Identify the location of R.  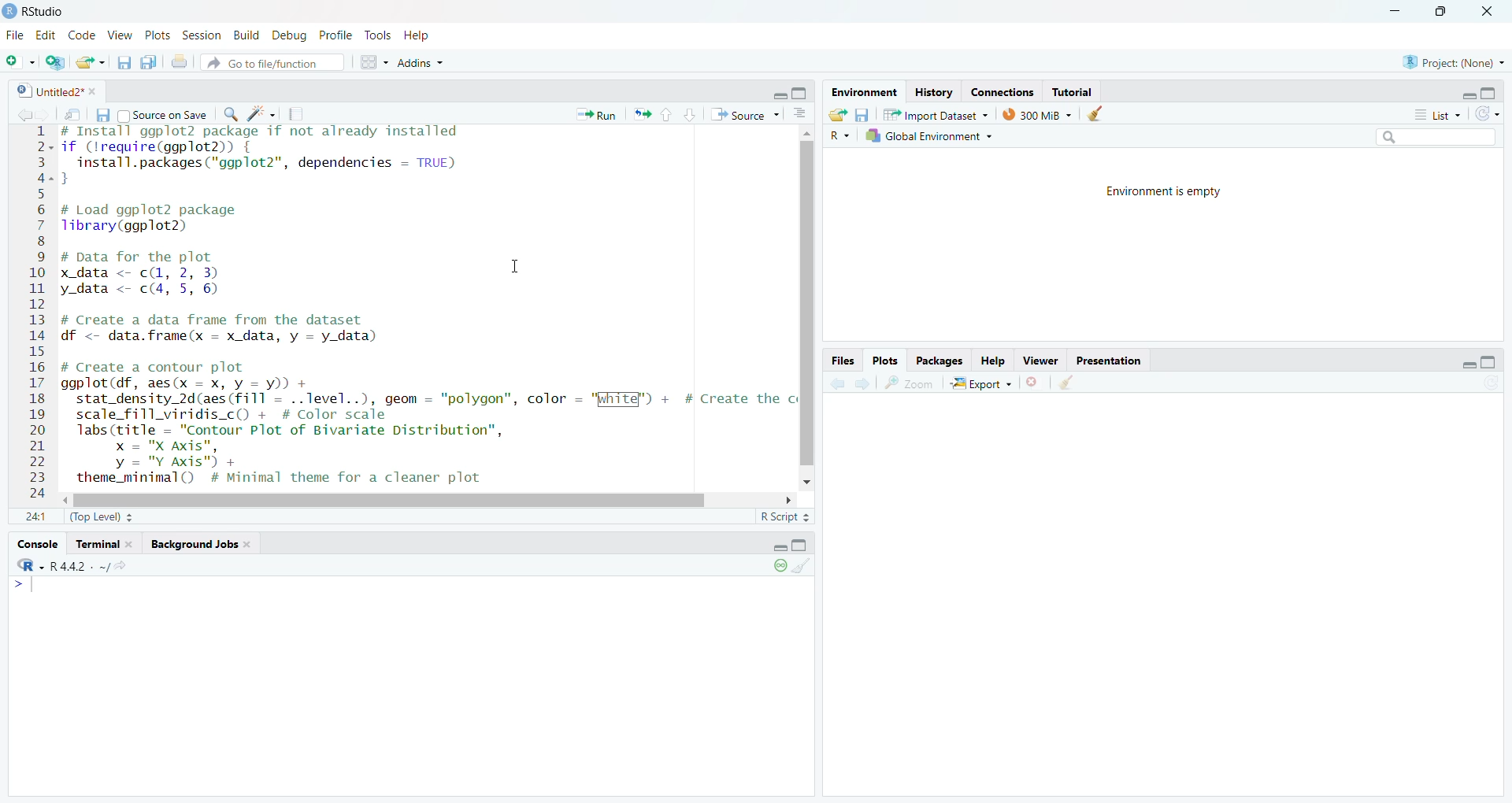
(838, 136).